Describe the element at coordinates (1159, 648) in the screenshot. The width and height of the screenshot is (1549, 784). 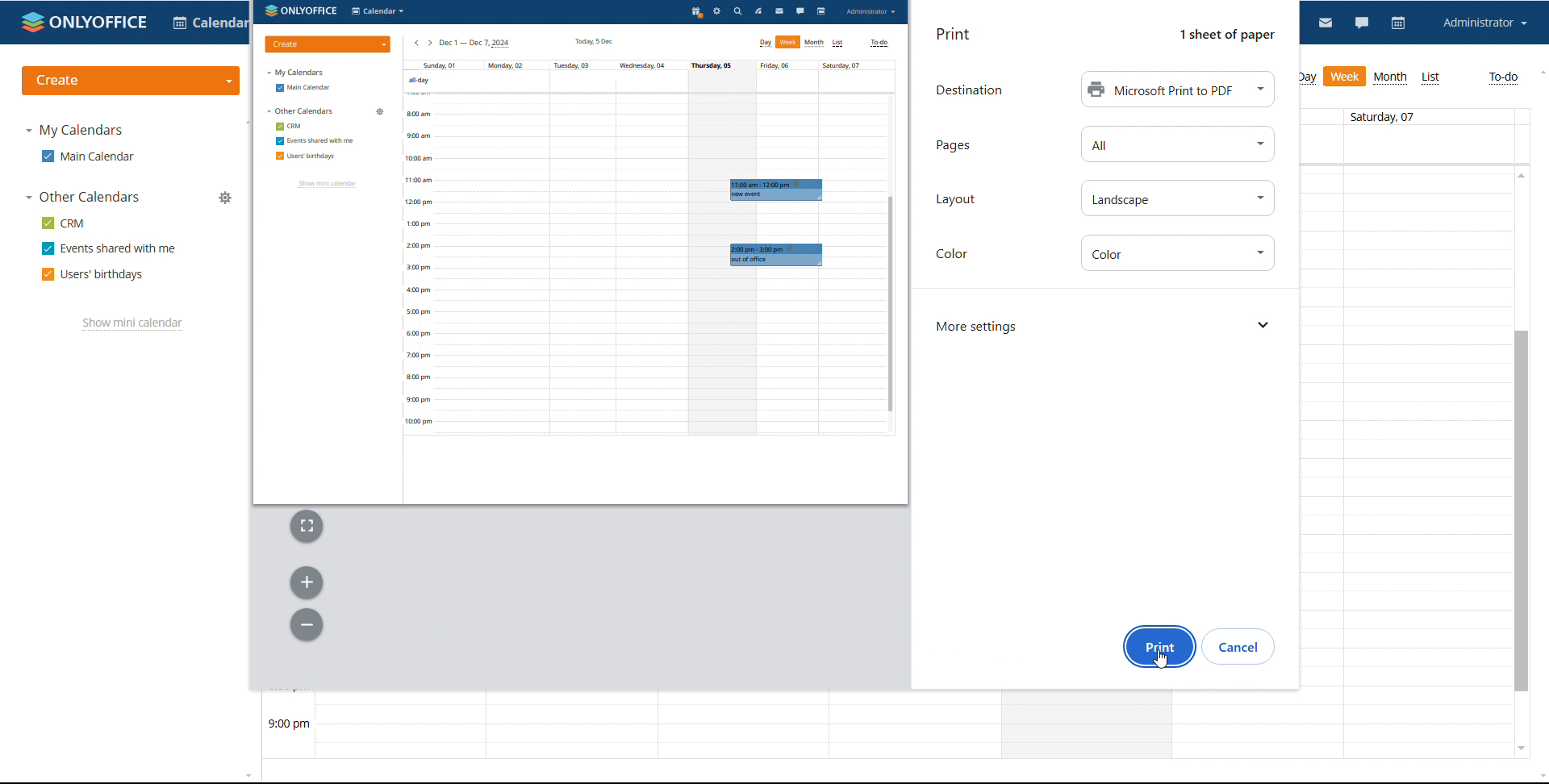
I see `print` at that location.